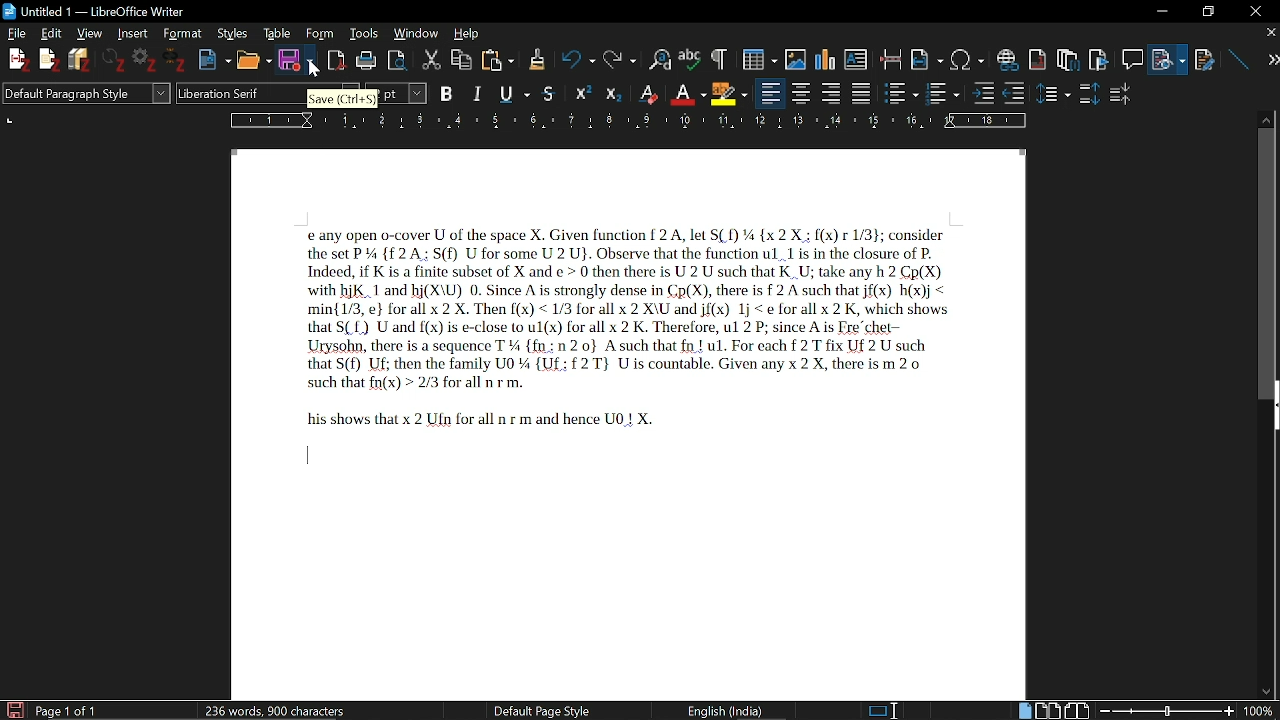 This screenshot has width=1280, height=720. What do you see at coordinates (1269, 34) in the screenshot?
I see `close` at bounding box center [1269, 34].